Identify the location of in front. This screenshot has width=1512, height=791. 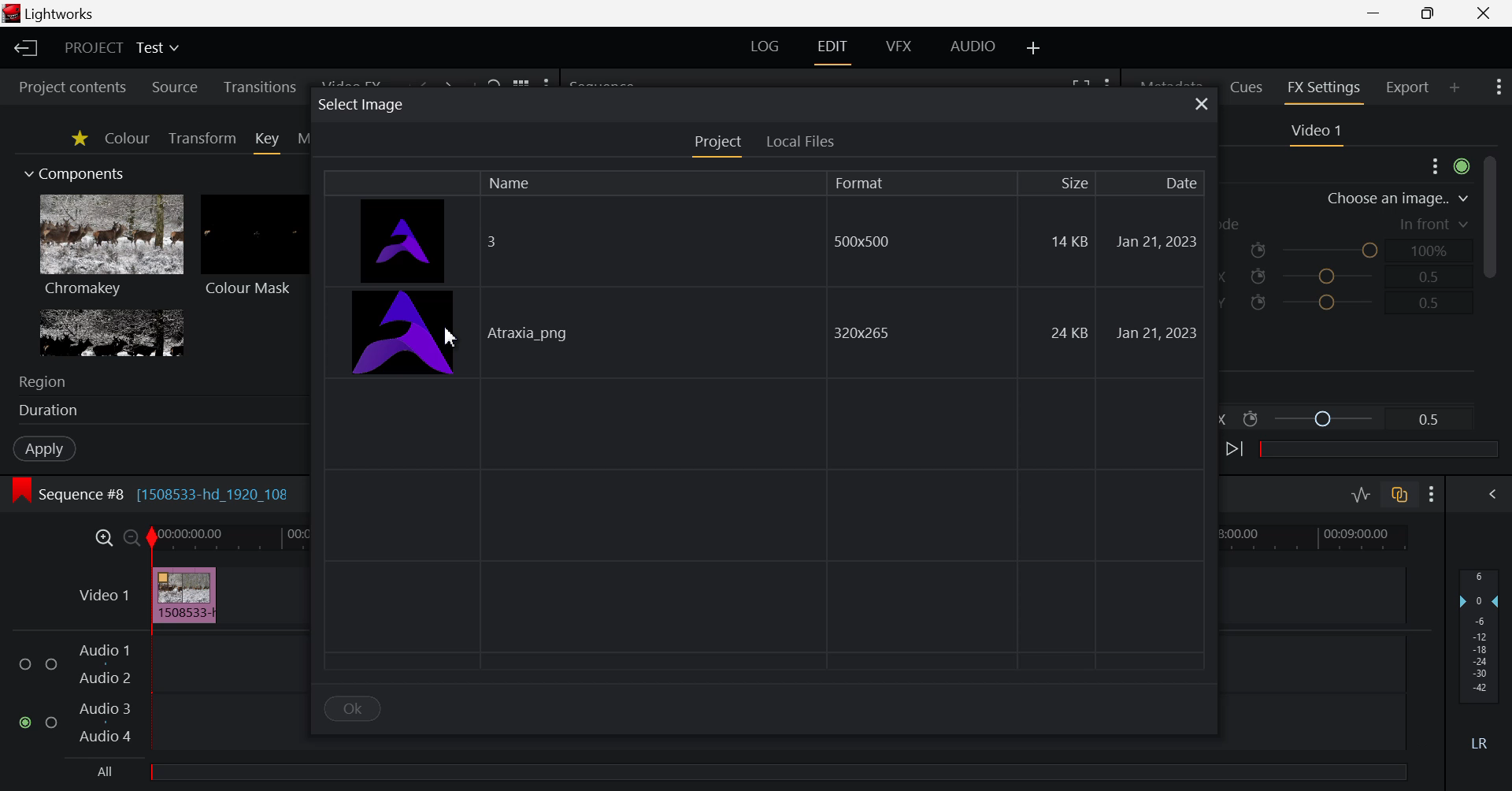
(1434, 223).